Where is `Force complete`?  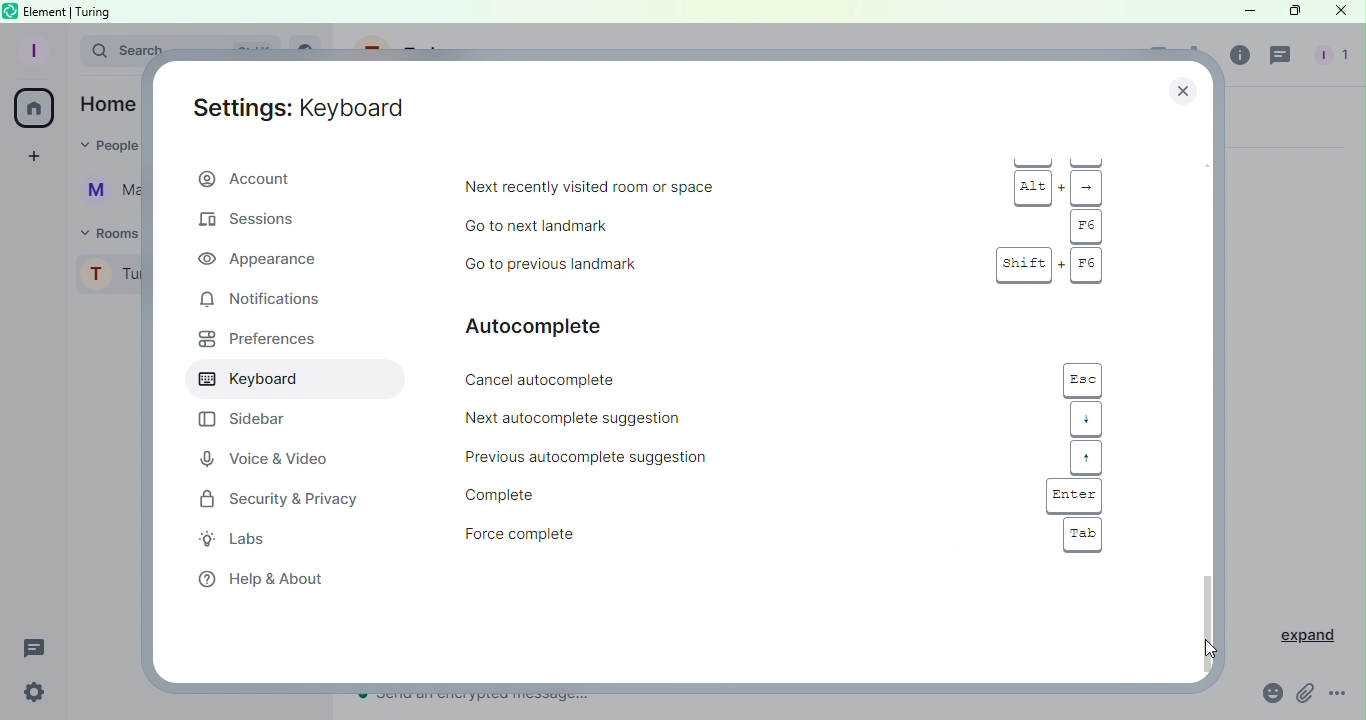
Force complete is located at coordinates (593, 535).